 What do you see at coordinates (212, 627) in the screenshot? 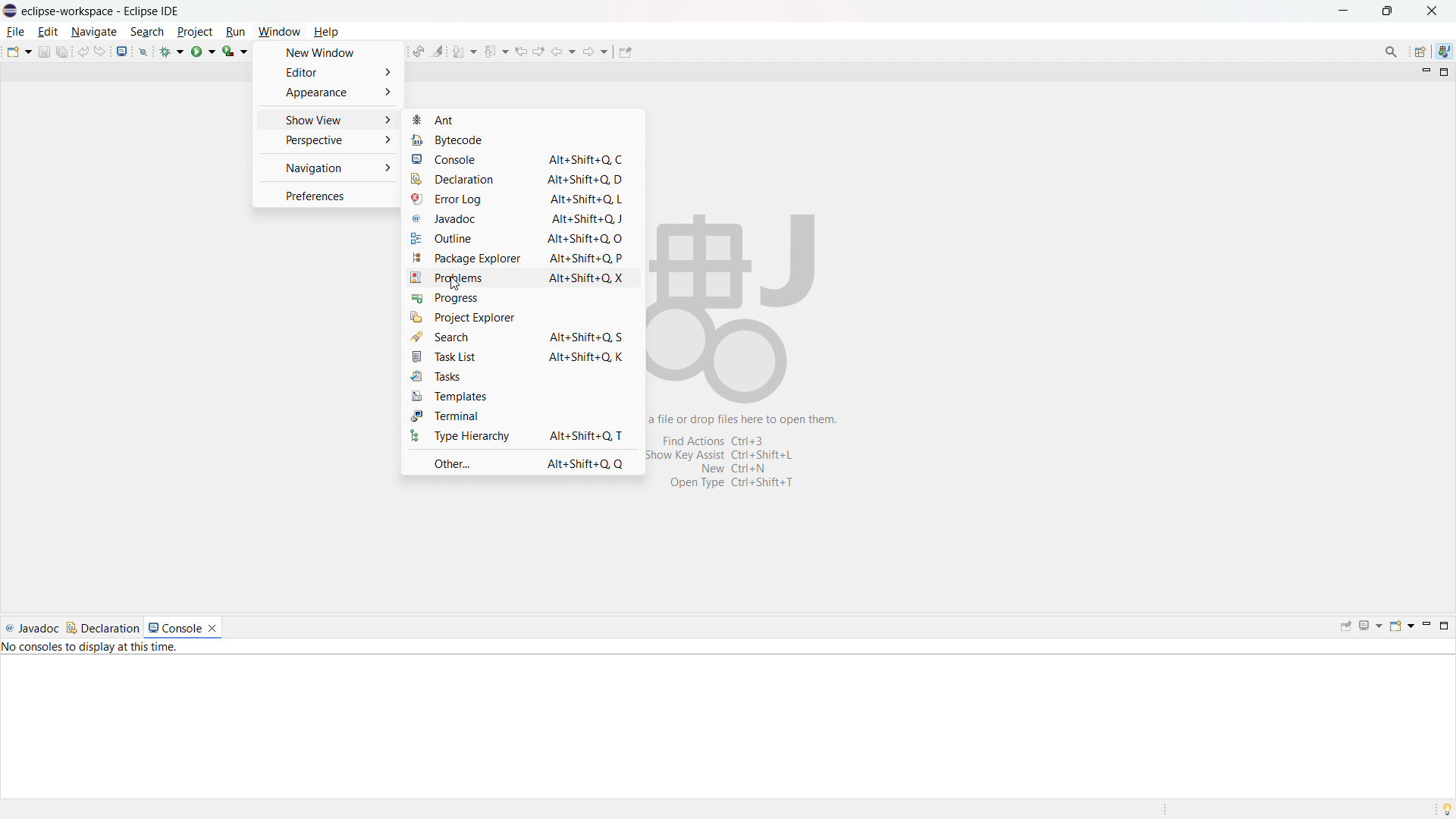
I see `close console` at bounding box center [212, 627].